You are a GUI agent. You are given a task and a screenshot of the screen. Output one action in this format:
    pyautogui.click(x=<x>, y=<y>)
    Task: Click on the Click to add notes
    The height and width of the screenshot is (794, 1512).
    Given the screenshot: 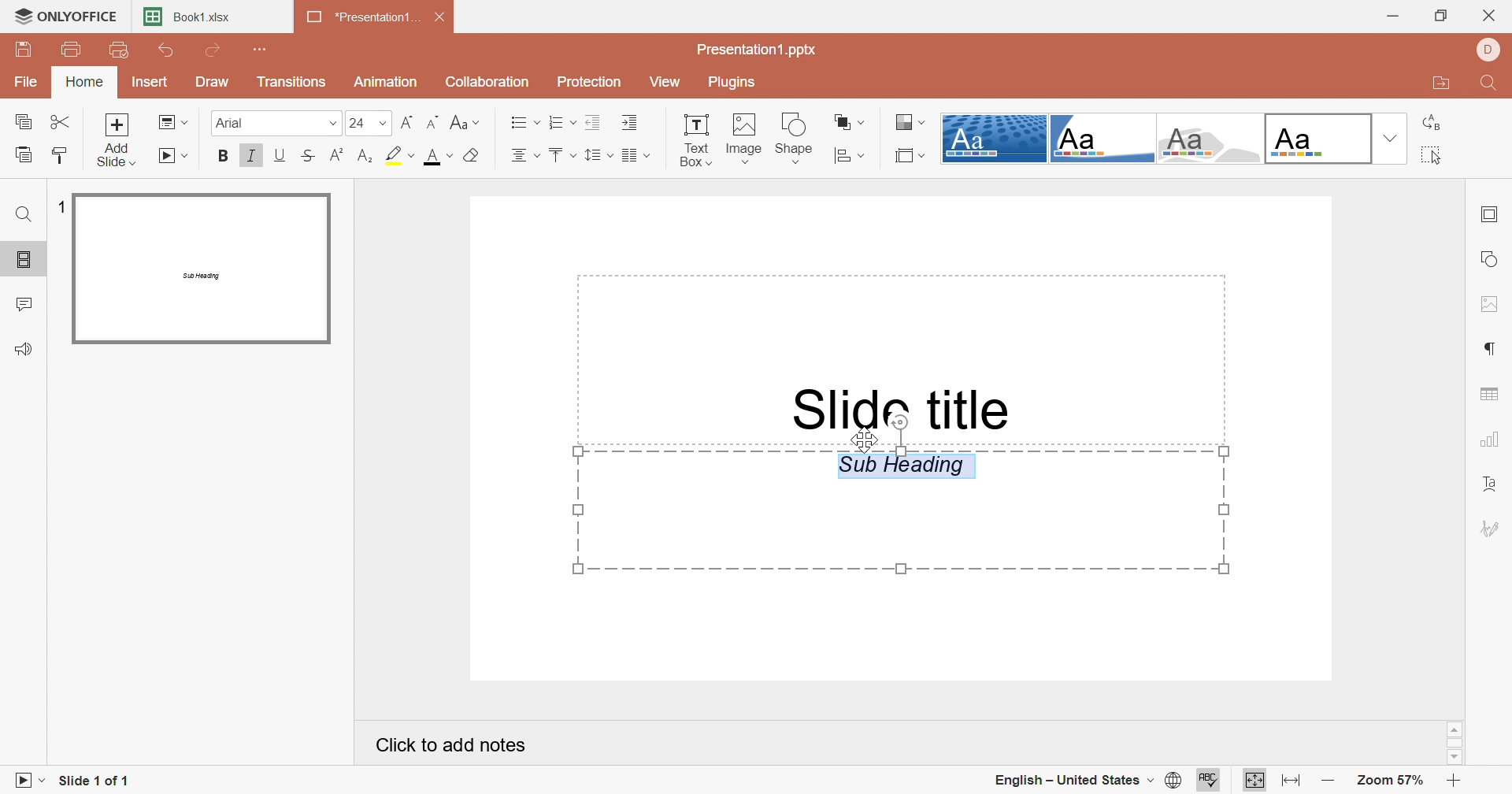 What is the action you would take?
    pyautogui.click(x=445, y=743)
    